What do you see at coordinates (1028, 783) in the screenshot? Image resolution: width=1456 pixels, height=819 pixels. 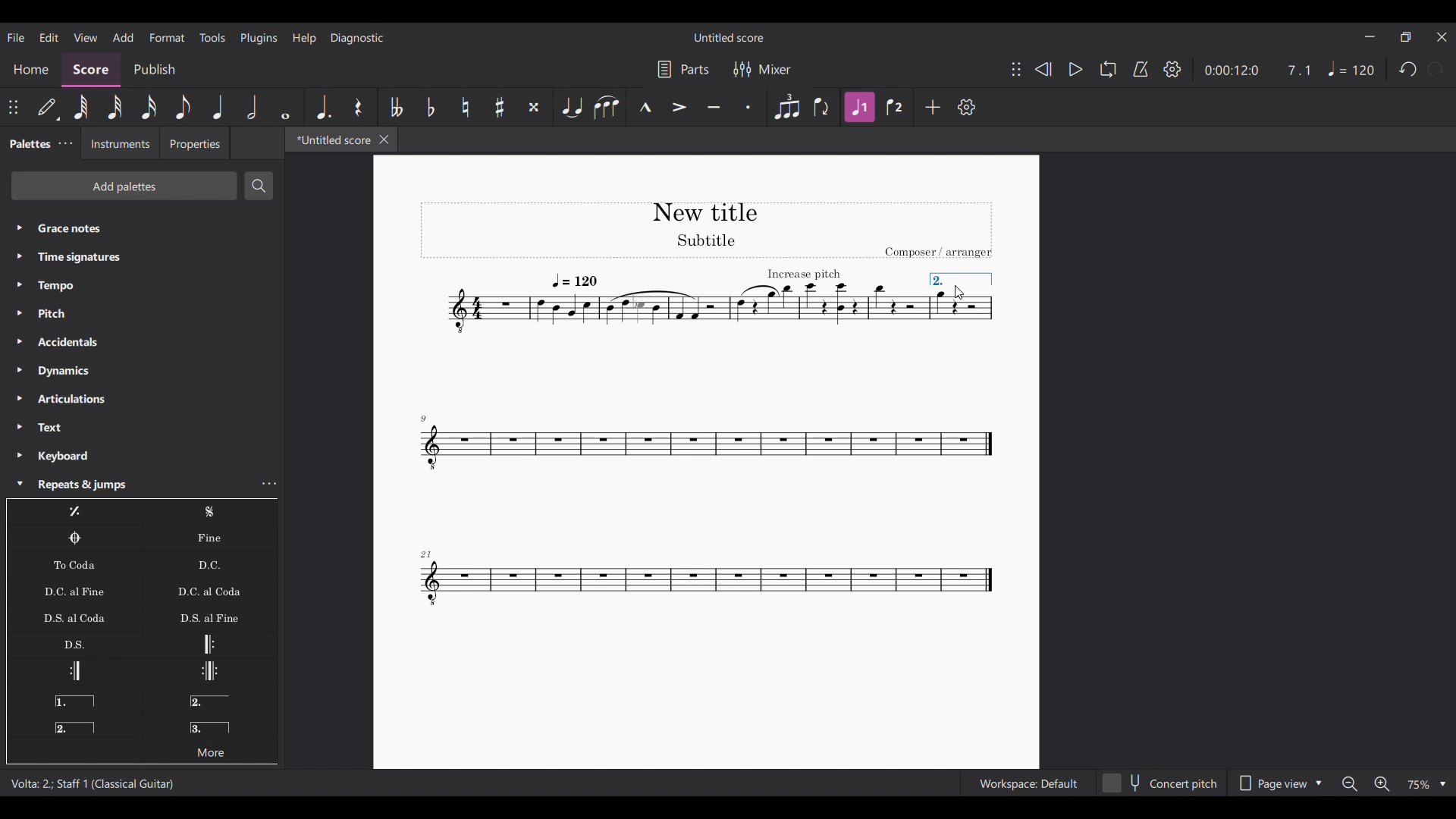 I see `Workspace: Default` at bounding box center [1028, 783].